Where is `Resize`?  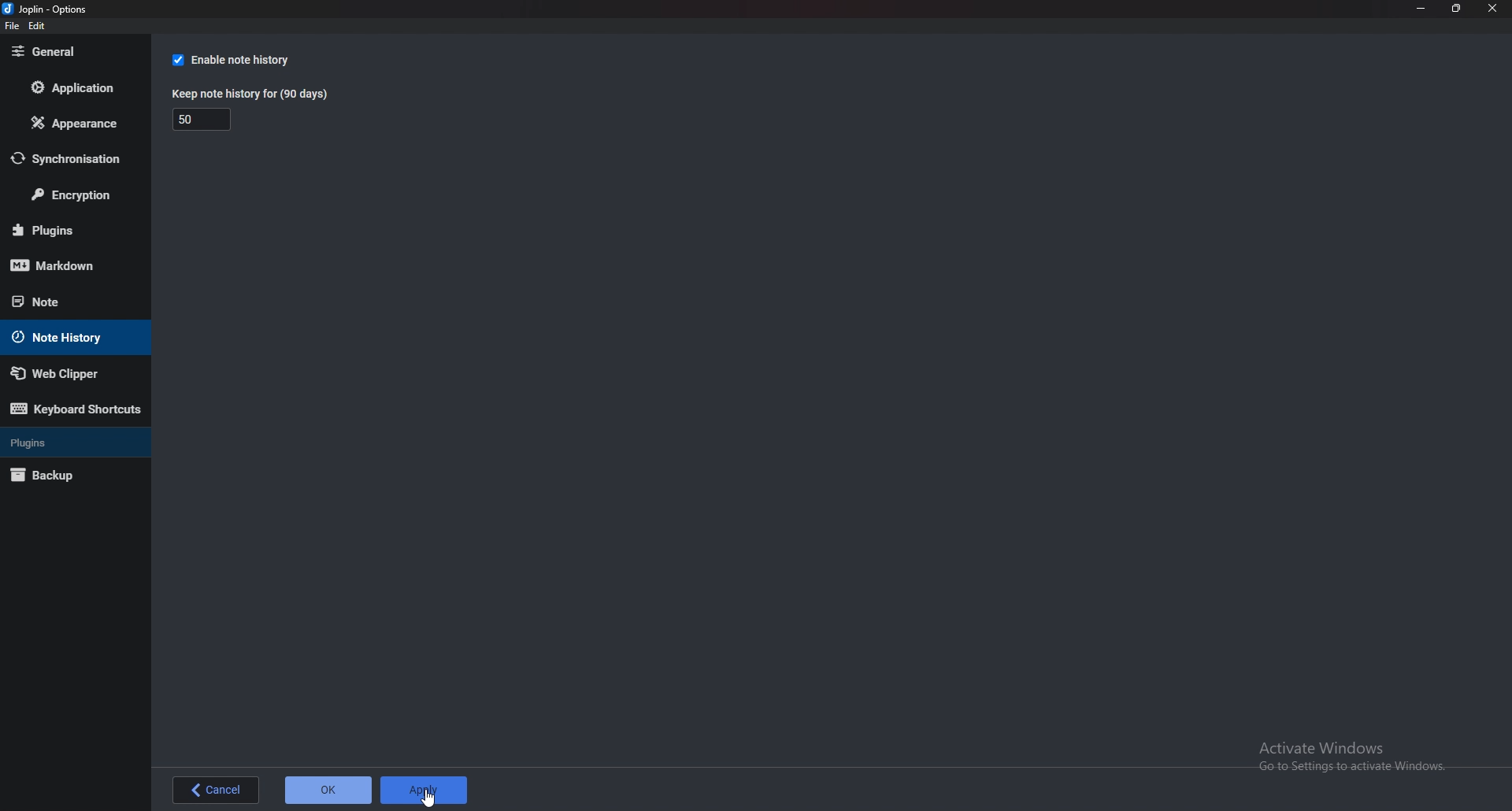
Resize is located at coordinates (1458, 9).